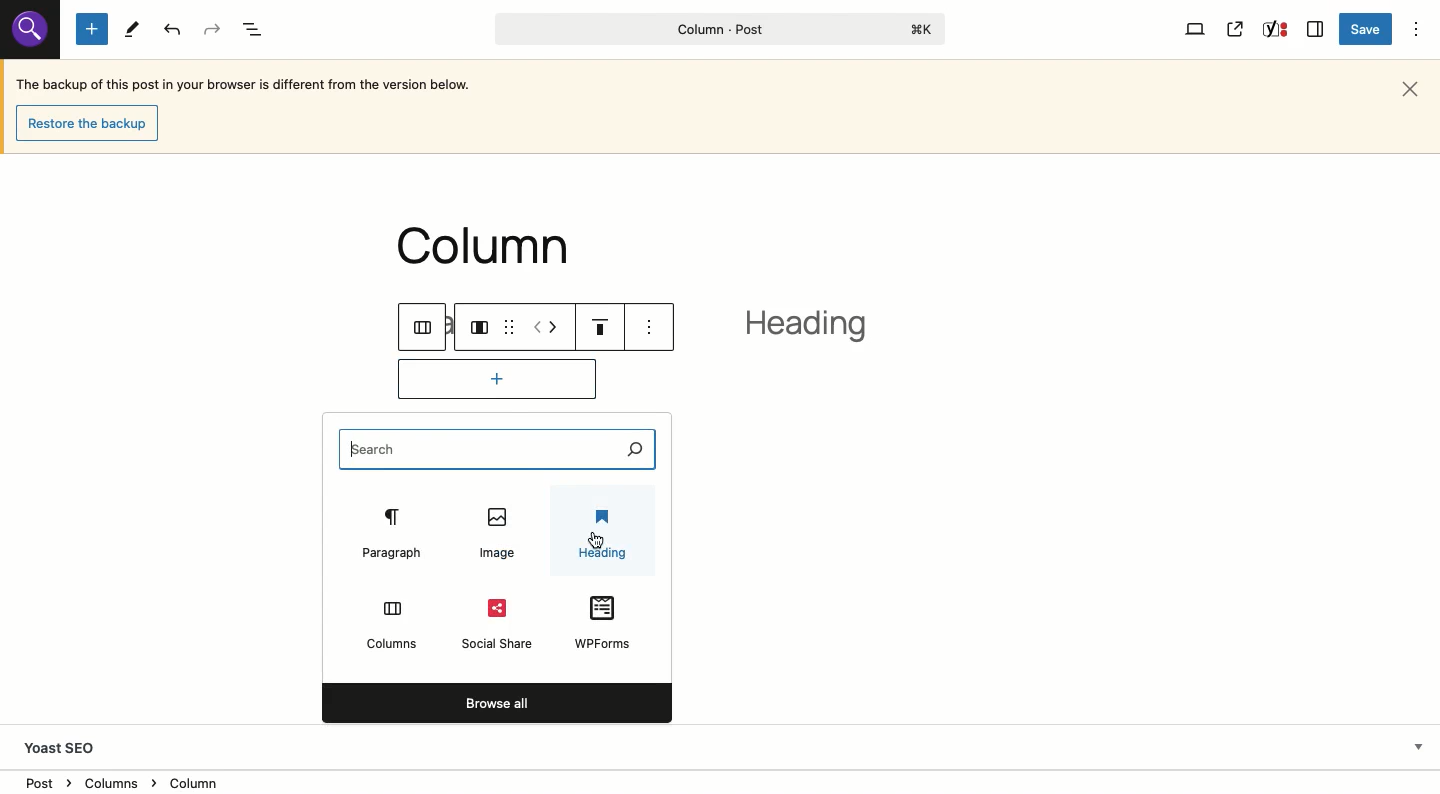  Describe the element at coordinates (1418, 745) in the screenshot. I see `Hide` at that location.